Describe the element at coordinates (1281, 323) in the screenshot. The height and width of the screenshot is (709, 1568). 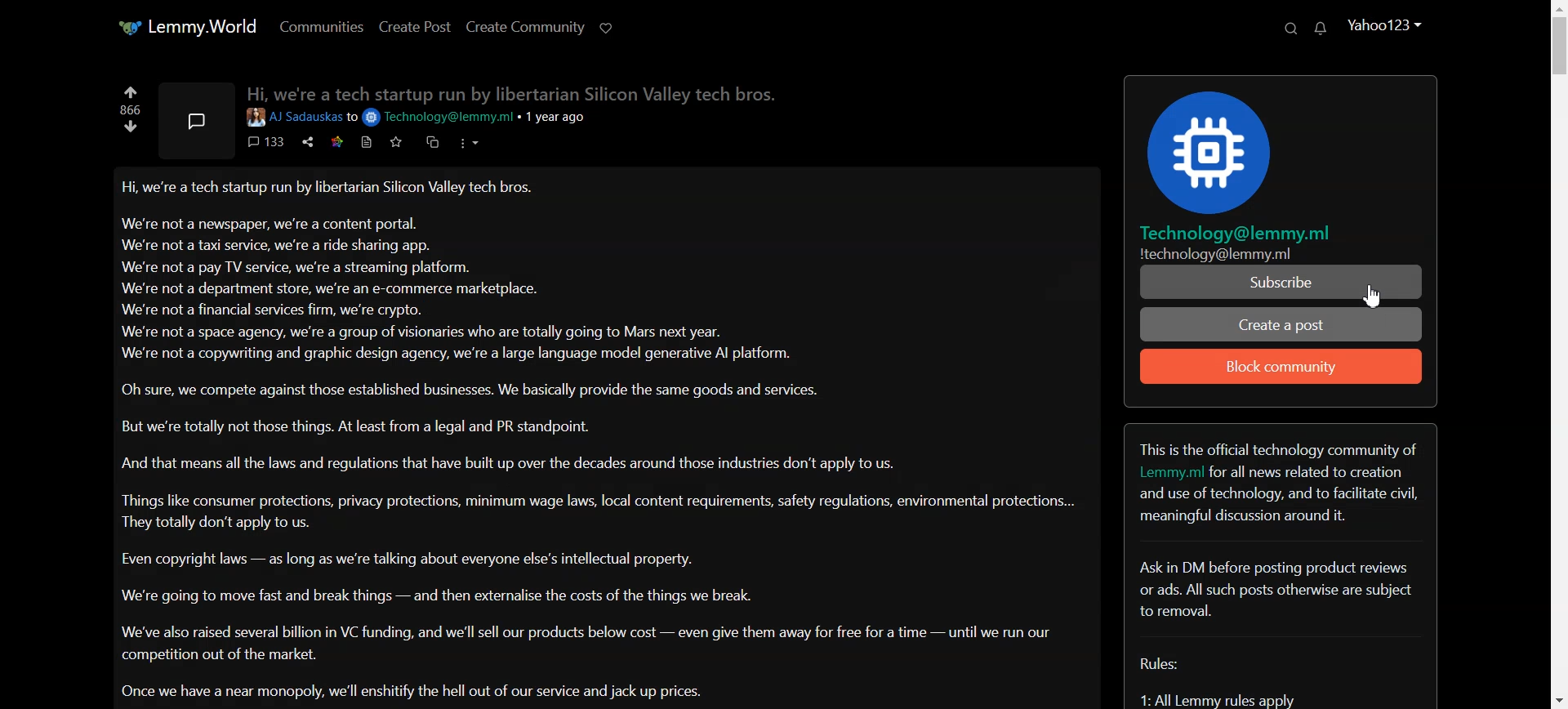
I see `Create a Post` at that location.